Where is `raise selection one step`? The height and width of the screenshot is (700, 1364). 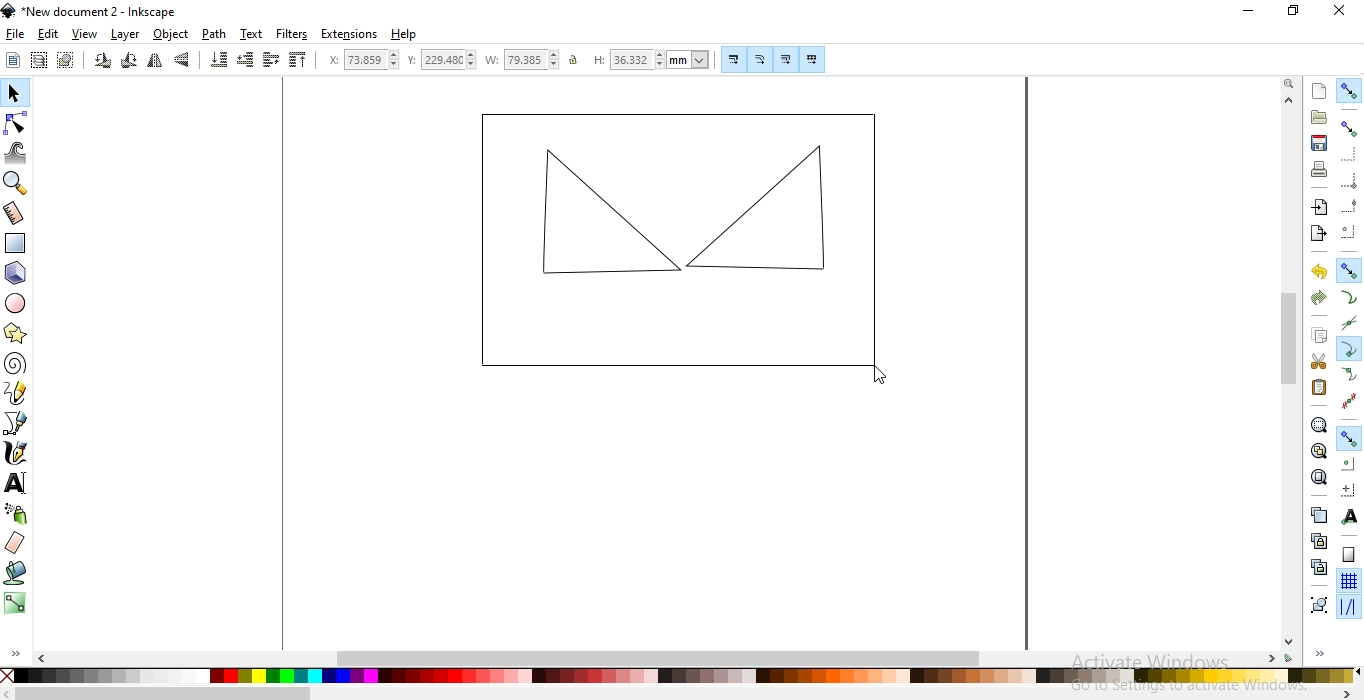 raise selection one step is located at coordinates (271, 60).